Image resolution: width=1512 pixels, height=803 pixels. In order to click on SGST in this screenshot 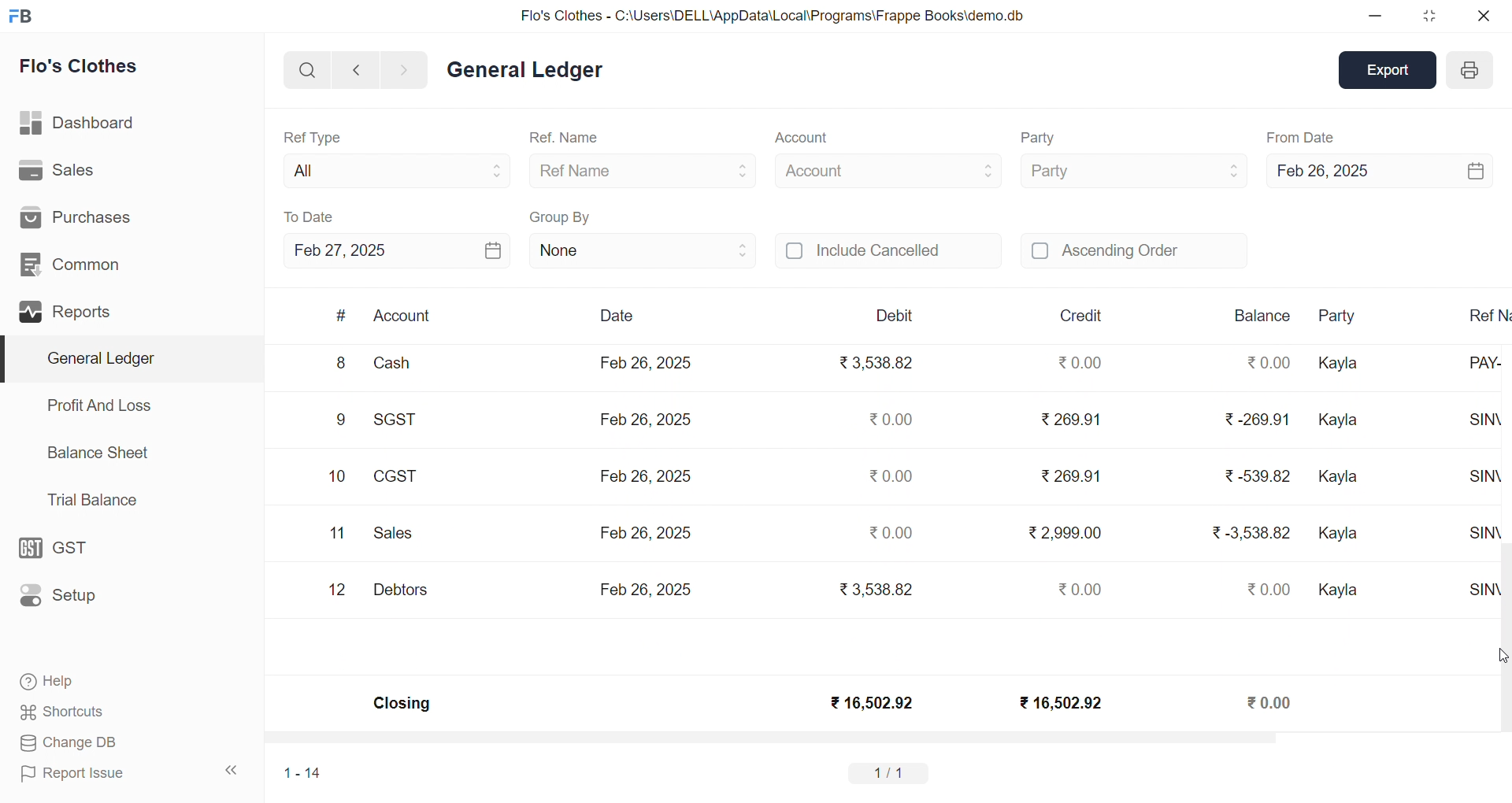, I will do `click(403, 421)`.